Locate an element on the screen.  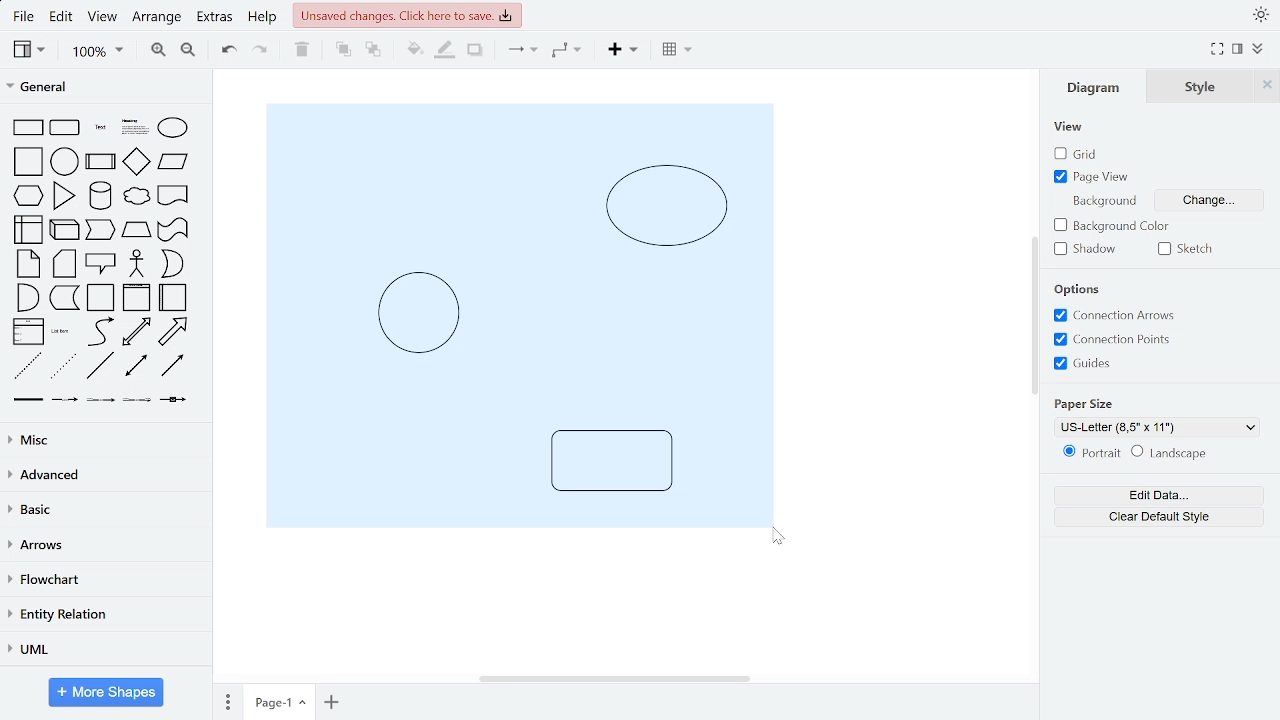
basic is located at coordinates (101, 511).